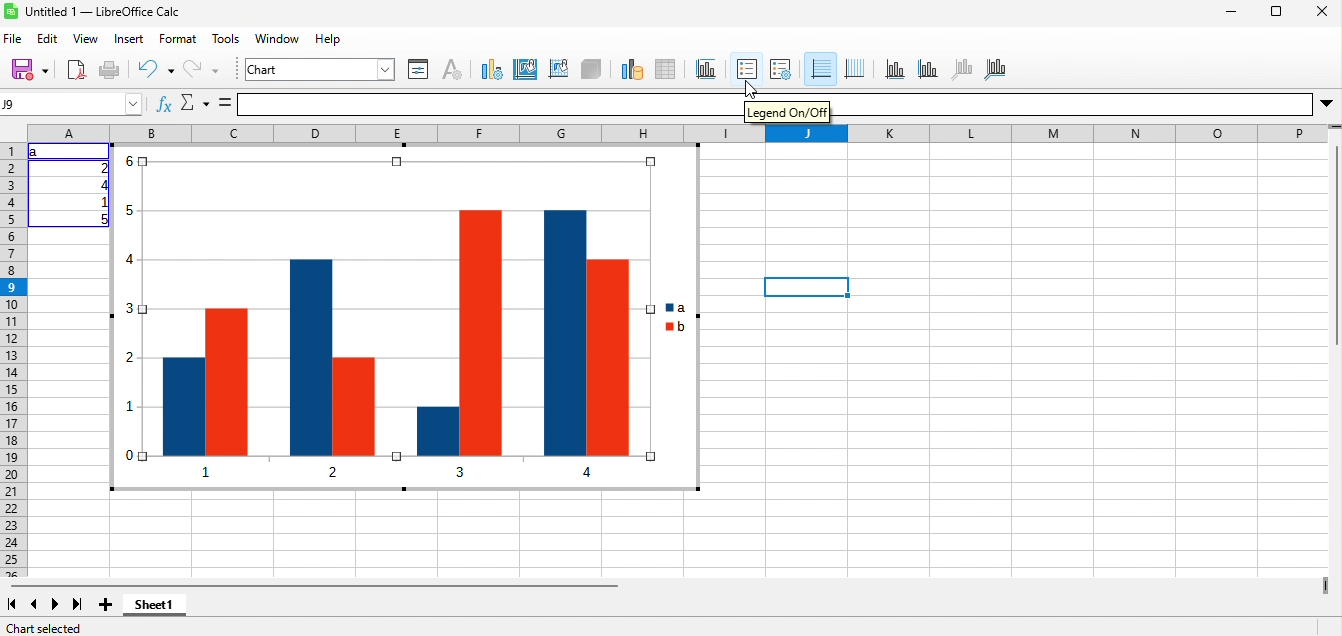 The height and width of the screenshot is (636, 1342). Describe the element at coordinates (72, 104) in the screenshot. I see `Name box` at that location.